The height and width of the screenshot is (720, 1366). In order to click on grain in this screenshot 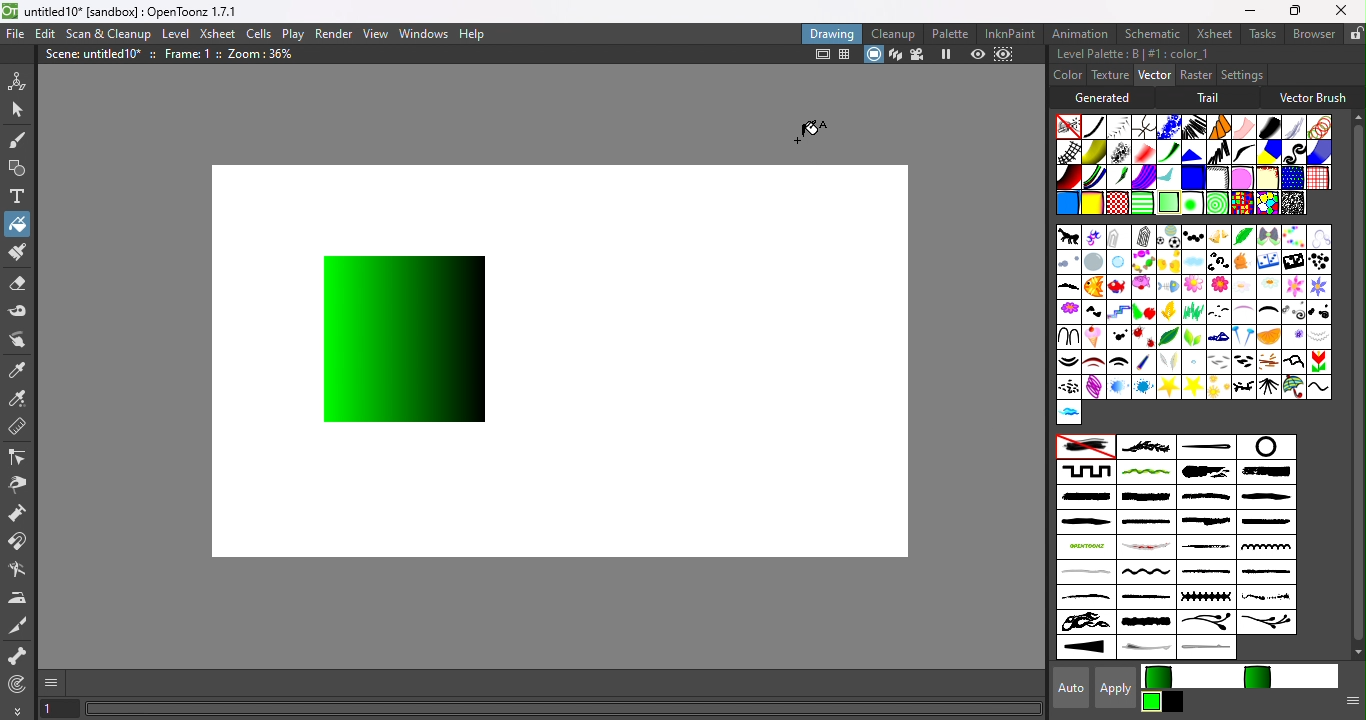, I will do `click(1193, 311)`.